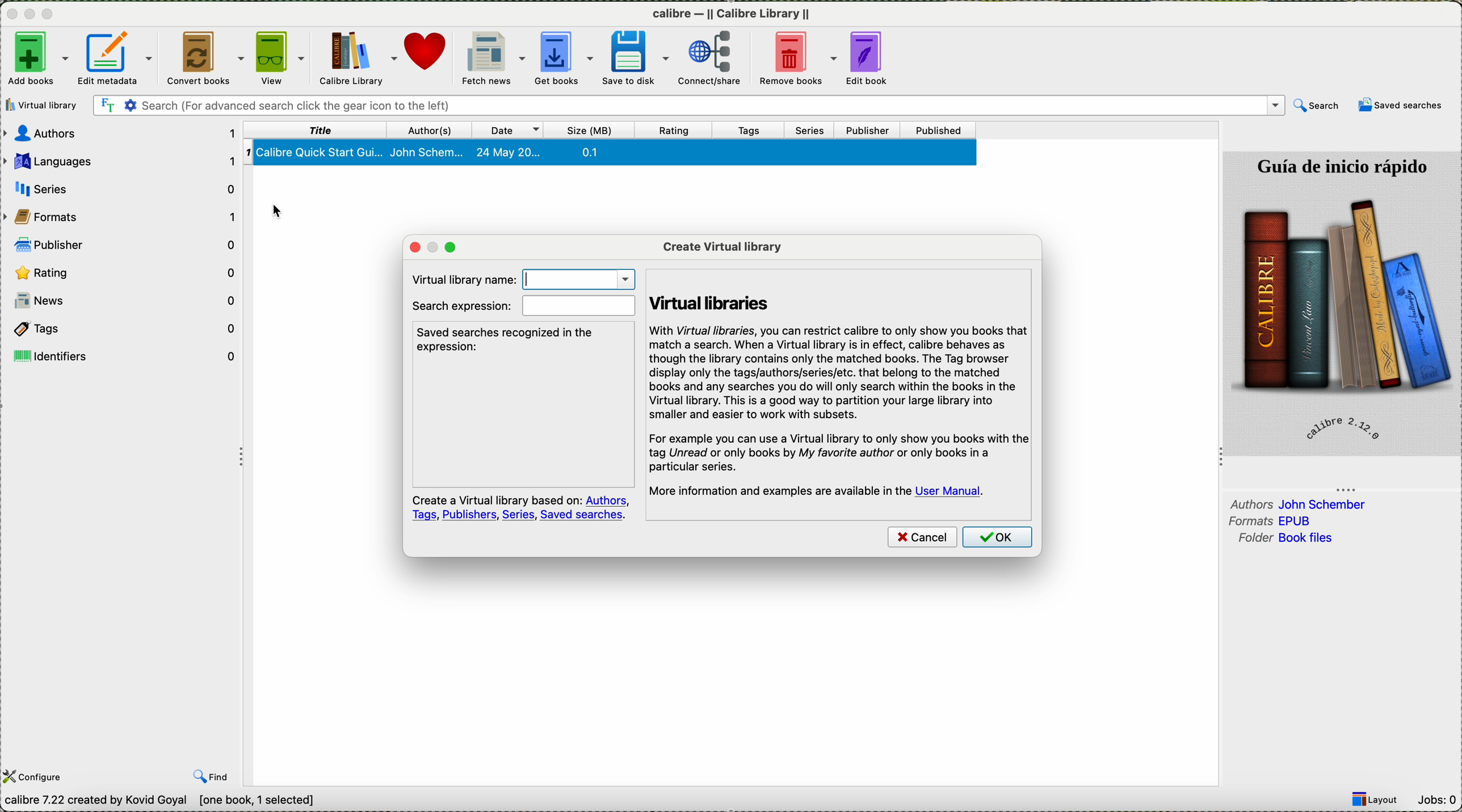  What do you see at coordinates (722, 245) in the screenshot?
I see `create virtual library` at bounding box center [722, 245].